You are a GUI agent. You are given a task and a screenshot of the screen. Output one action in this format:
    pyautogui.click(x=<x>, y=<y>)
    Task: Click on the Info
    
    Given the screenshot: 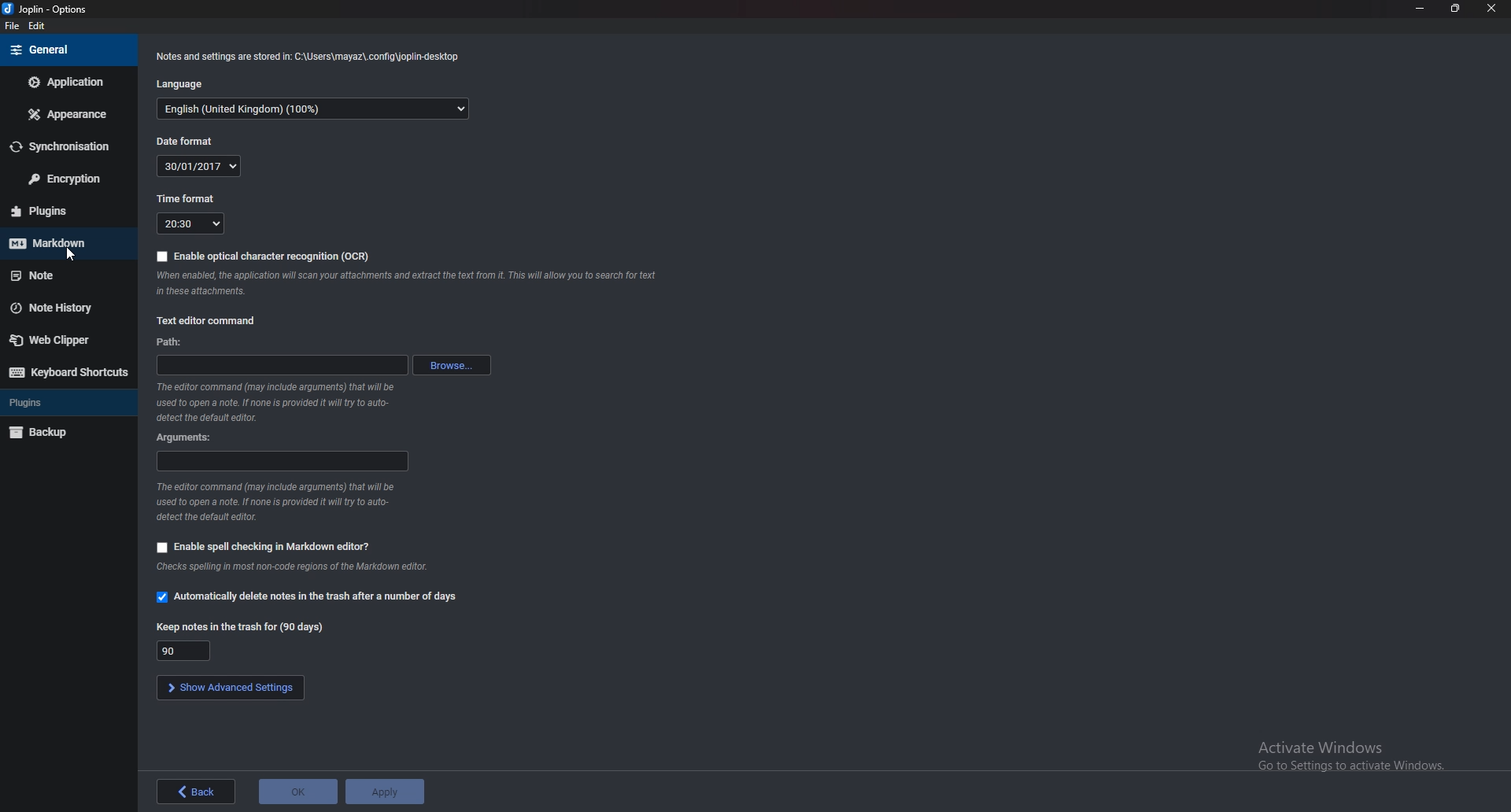 What is the action you would take?
    pyautogui.click(x=283, y=501)
    